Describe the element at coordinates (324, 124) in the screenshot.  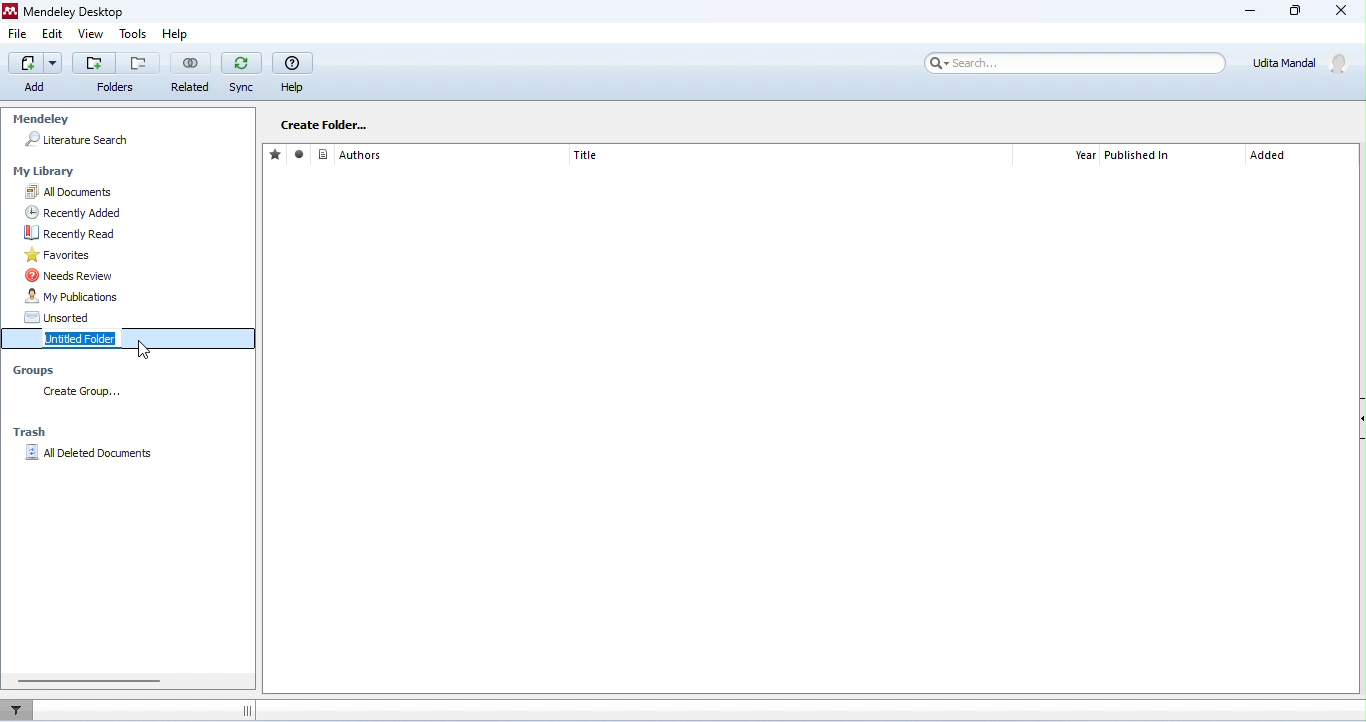
I see `create folder` at that location.